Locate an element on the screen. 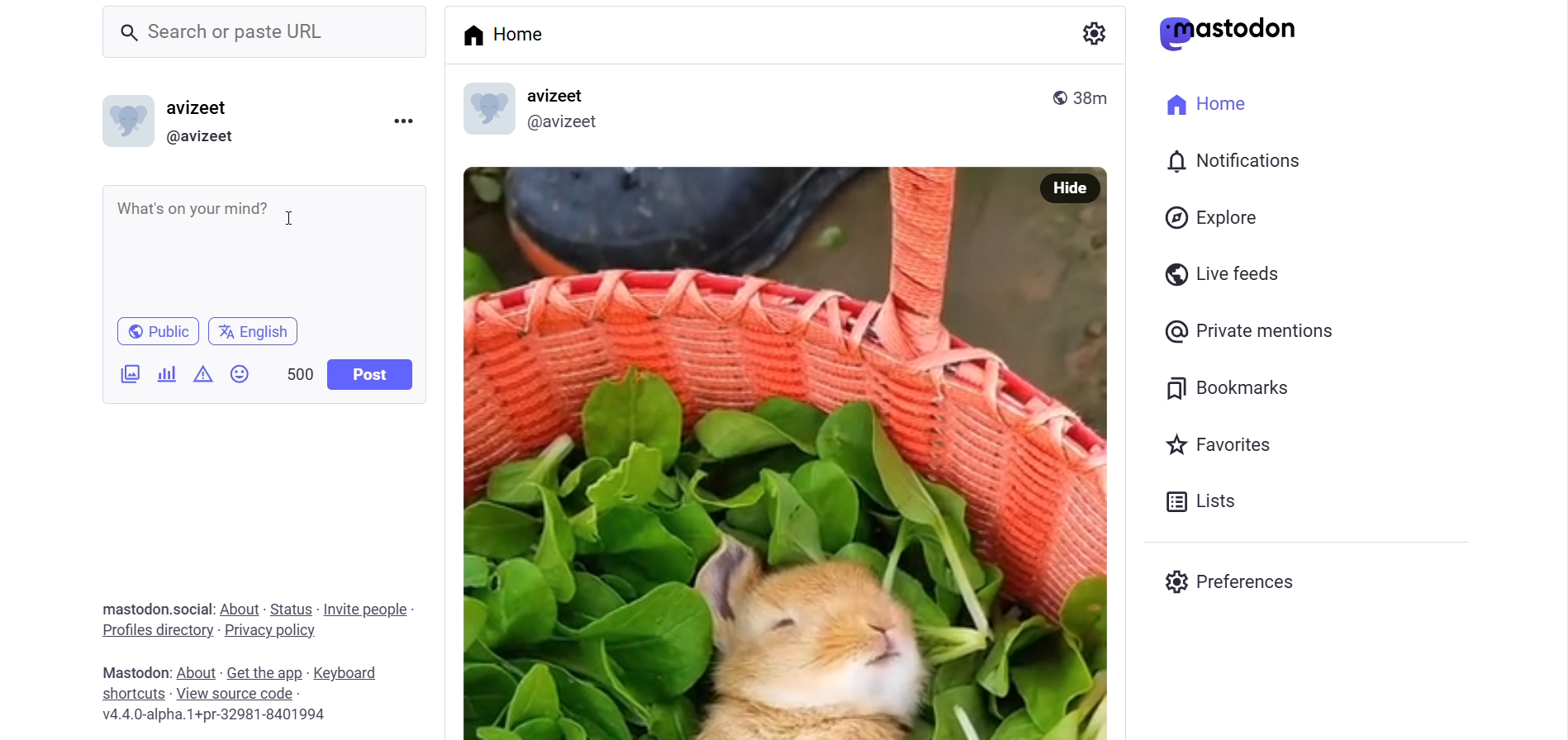 The height and width of the screenshot is (740, 1568). @avizeet is located at coordinates (569, 123).